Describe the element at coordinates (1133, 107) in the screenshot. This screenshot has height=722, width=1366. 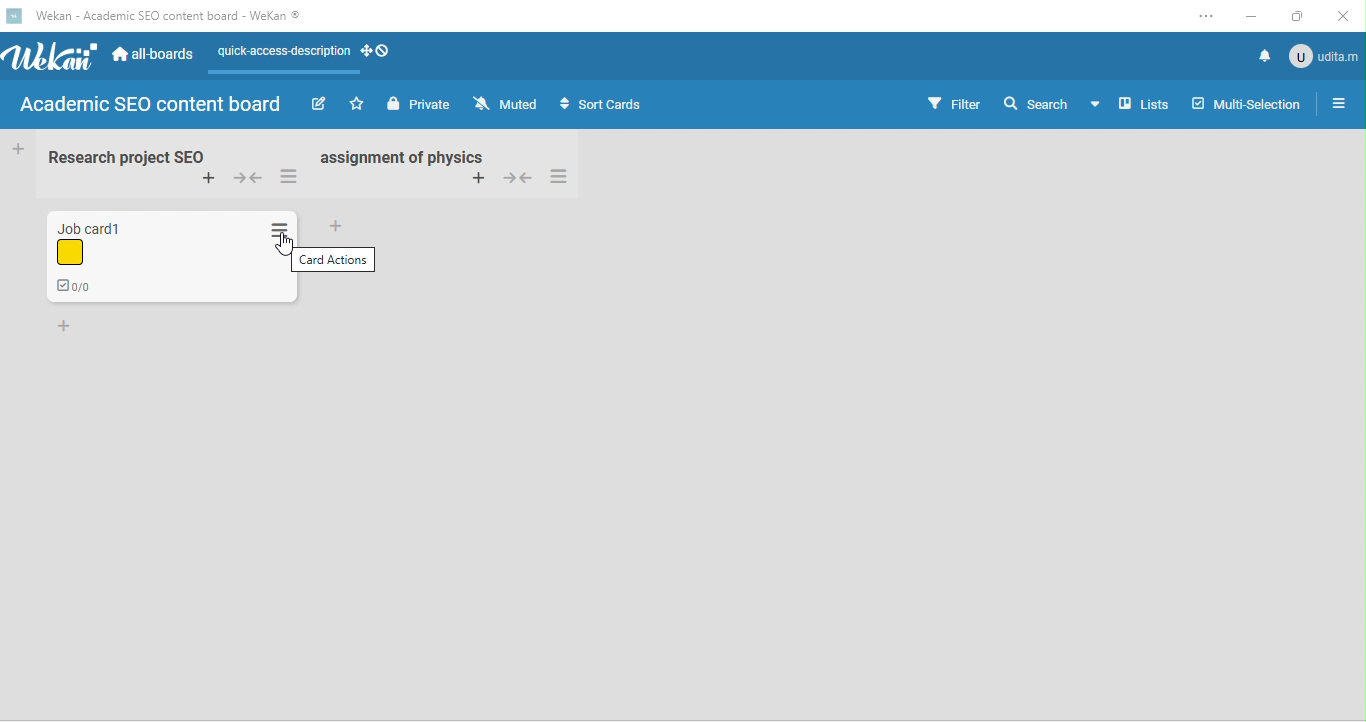
I see `lists` at that location.